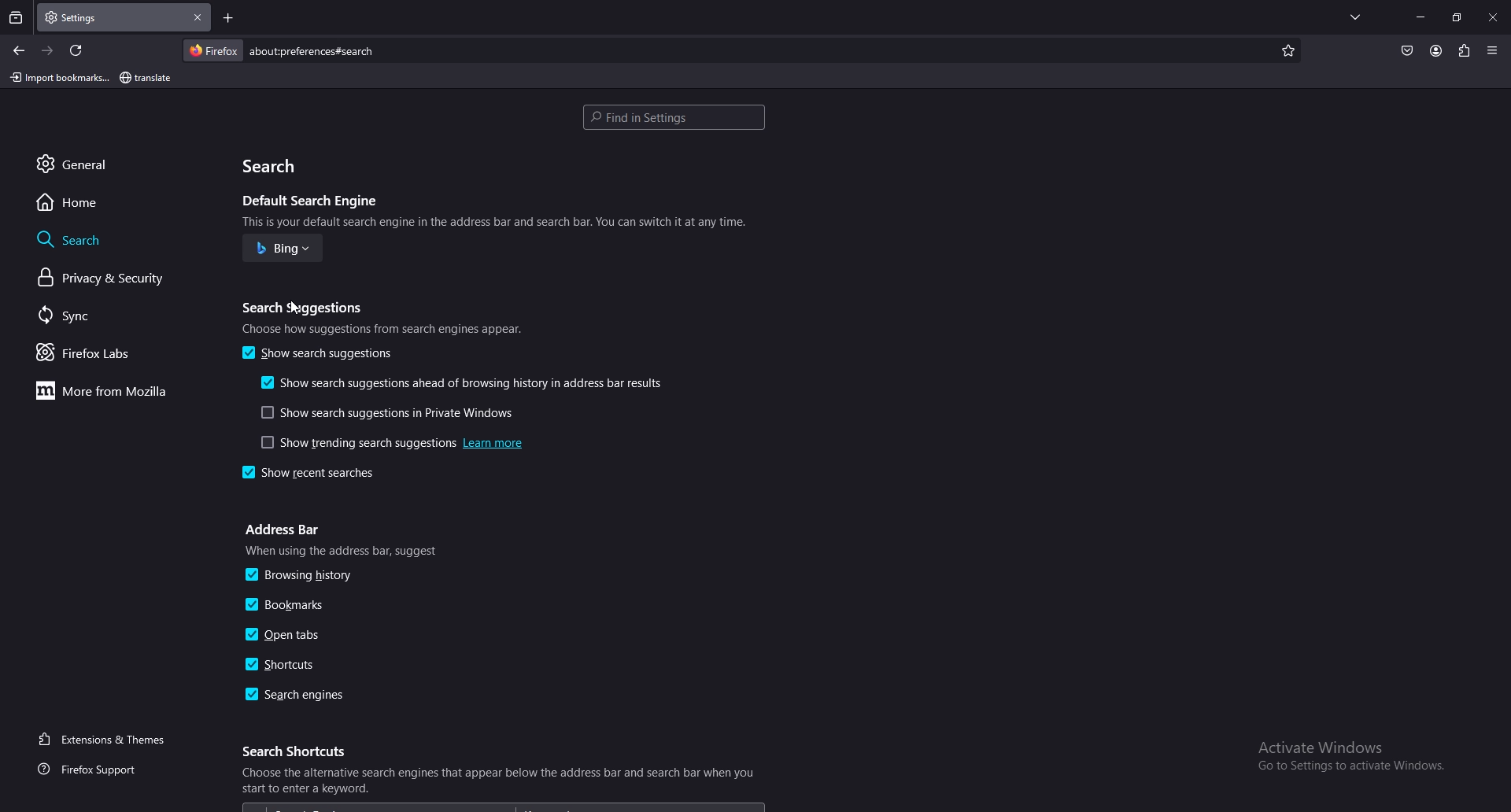  What do you see at coordinates (285, 531) in the screenshot?
I see `address bar` at bounding box center [285, 531].